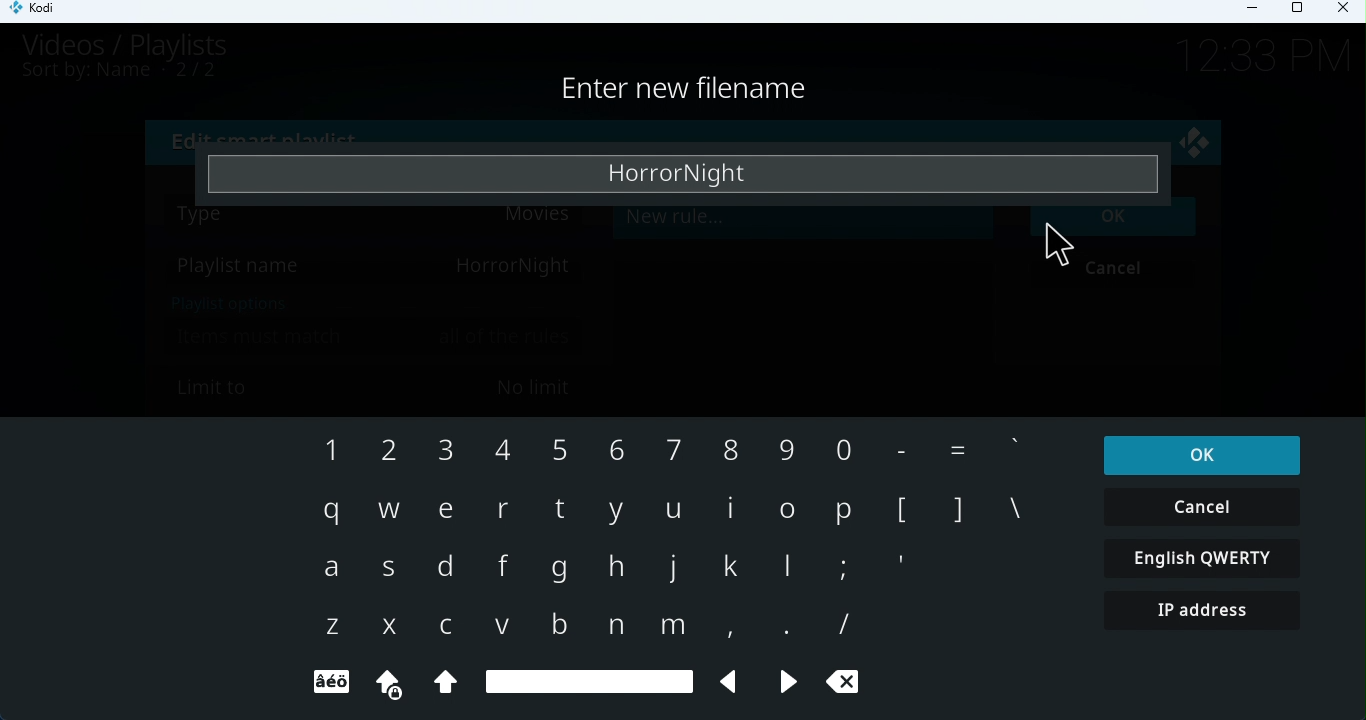 This screenshot has height=720, width=1366. I want to click on English QWERTY, so click(1204, 557).